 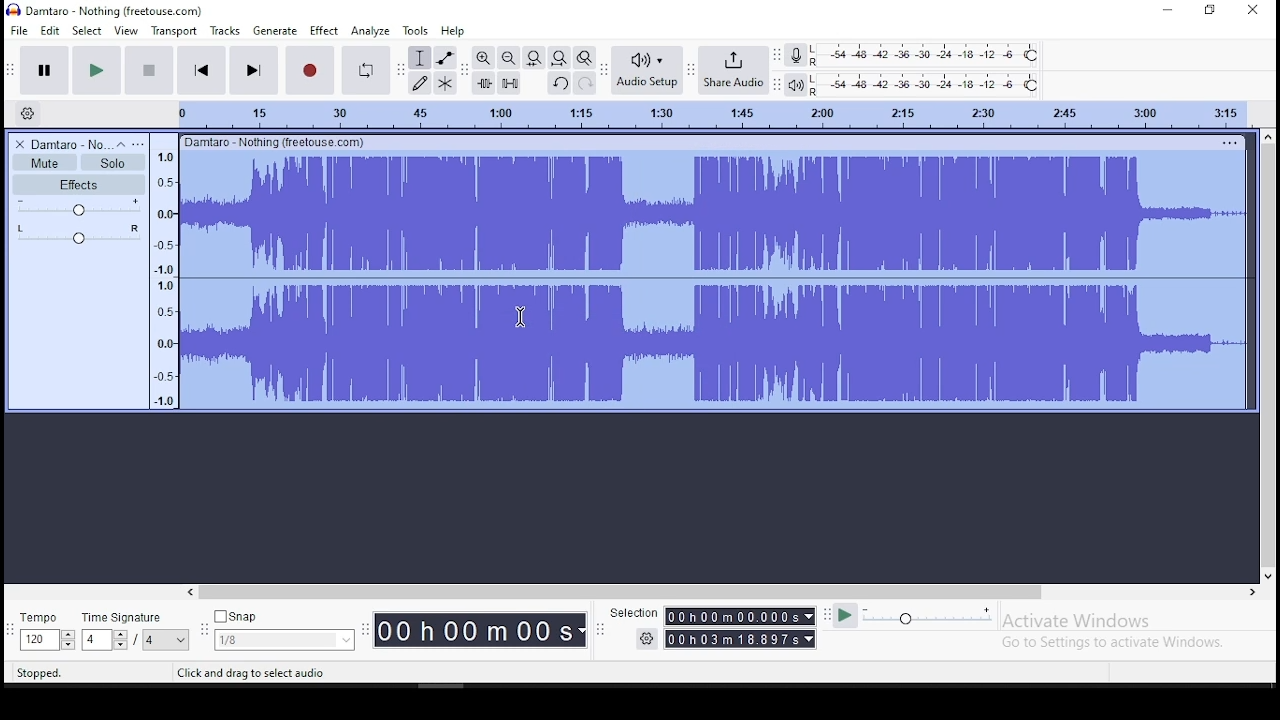 I want to click on Damtaro-Nothing (freehouse.com), so click(x=273, y=141).